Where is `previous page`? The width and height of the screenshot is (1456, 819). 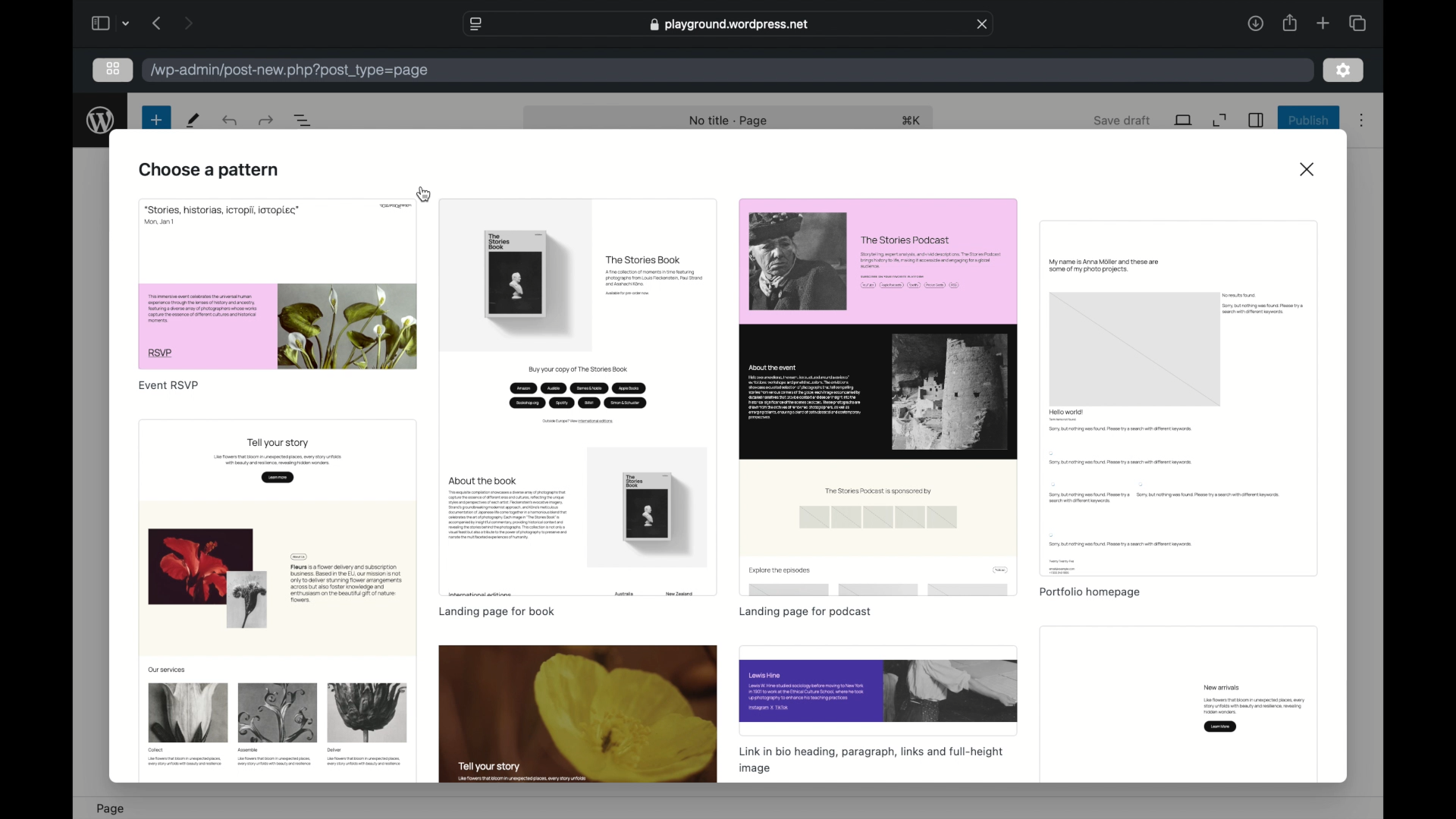
previous page is located at coordinates (156, 22).